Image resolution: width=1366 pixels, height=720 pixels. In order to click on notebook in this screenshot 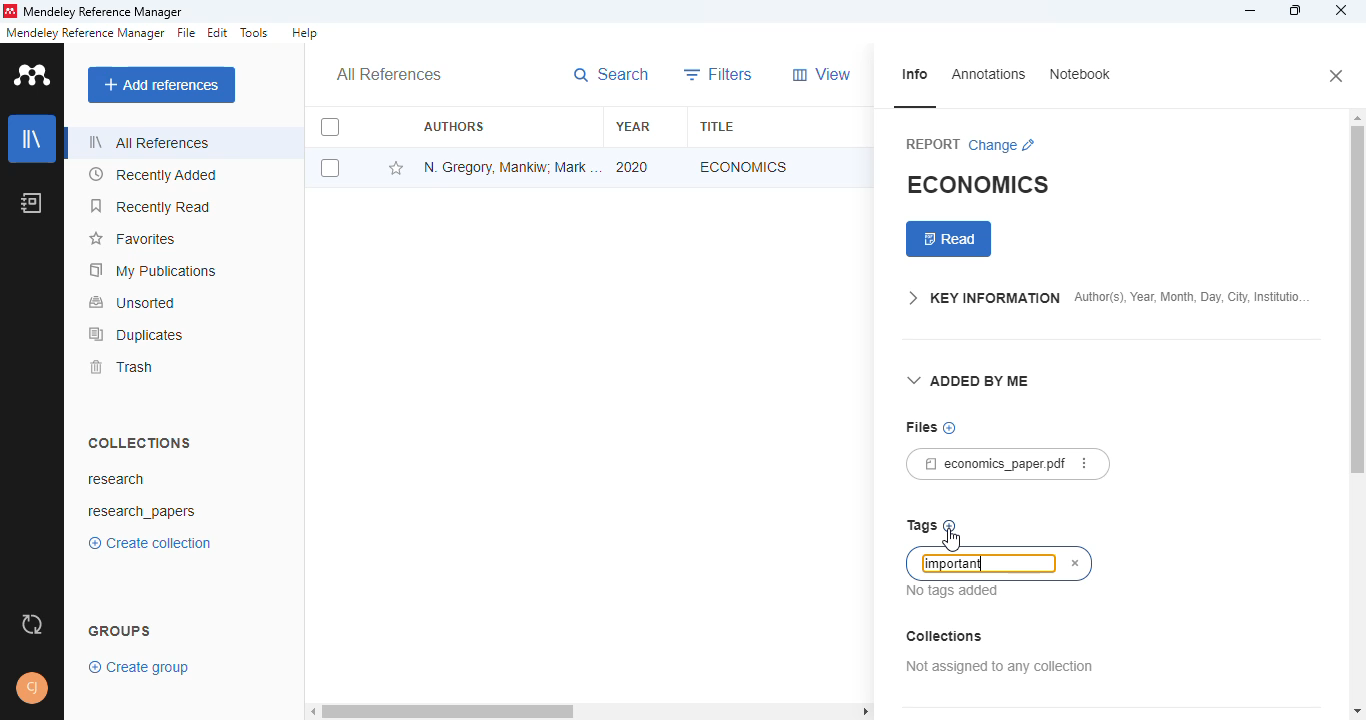, I will do `click(1081, 74)`.